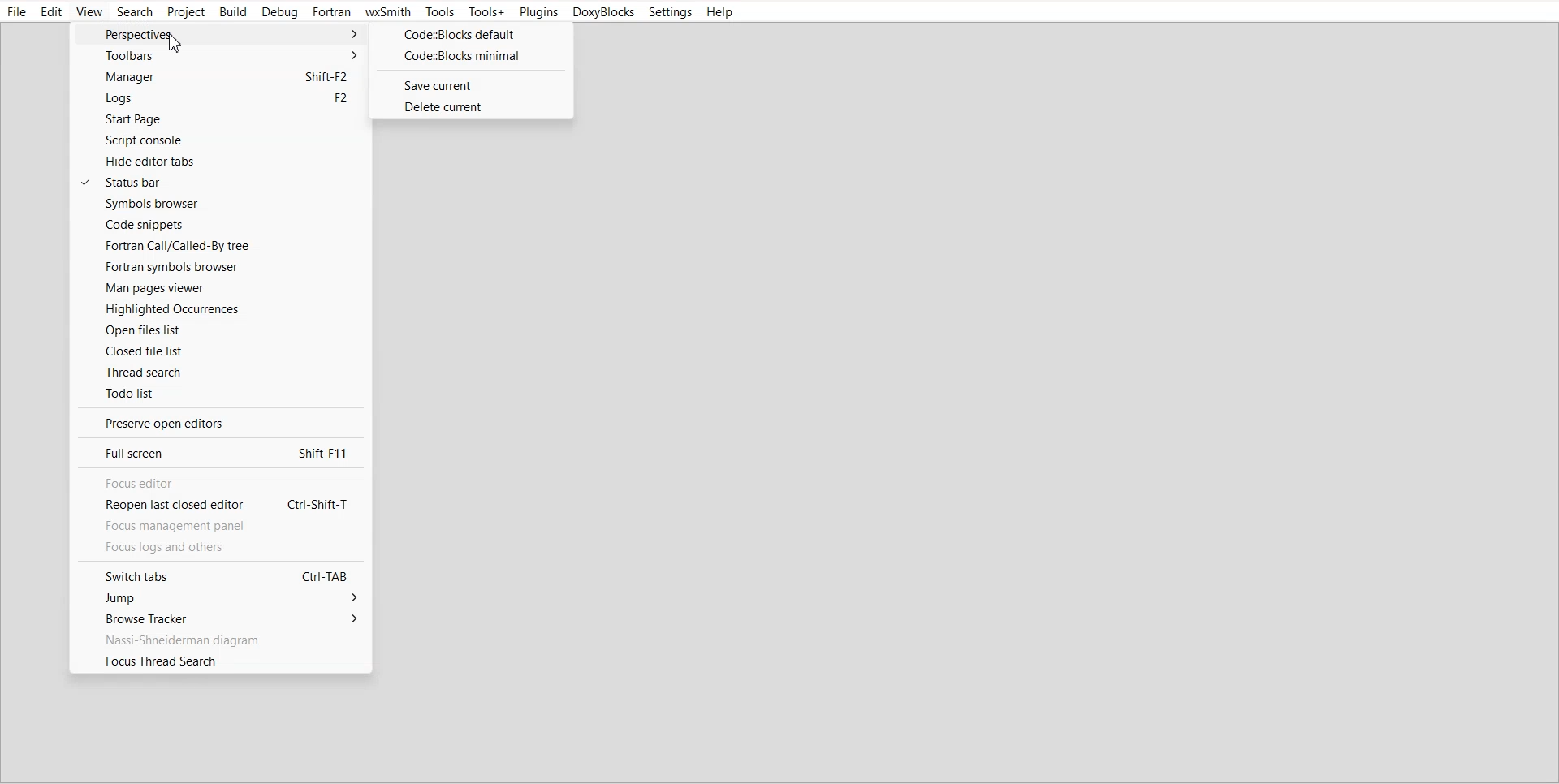 Image resolution: width=1559 pixels, height=784 pixels. I want to click on Logs, so click(217, 99).